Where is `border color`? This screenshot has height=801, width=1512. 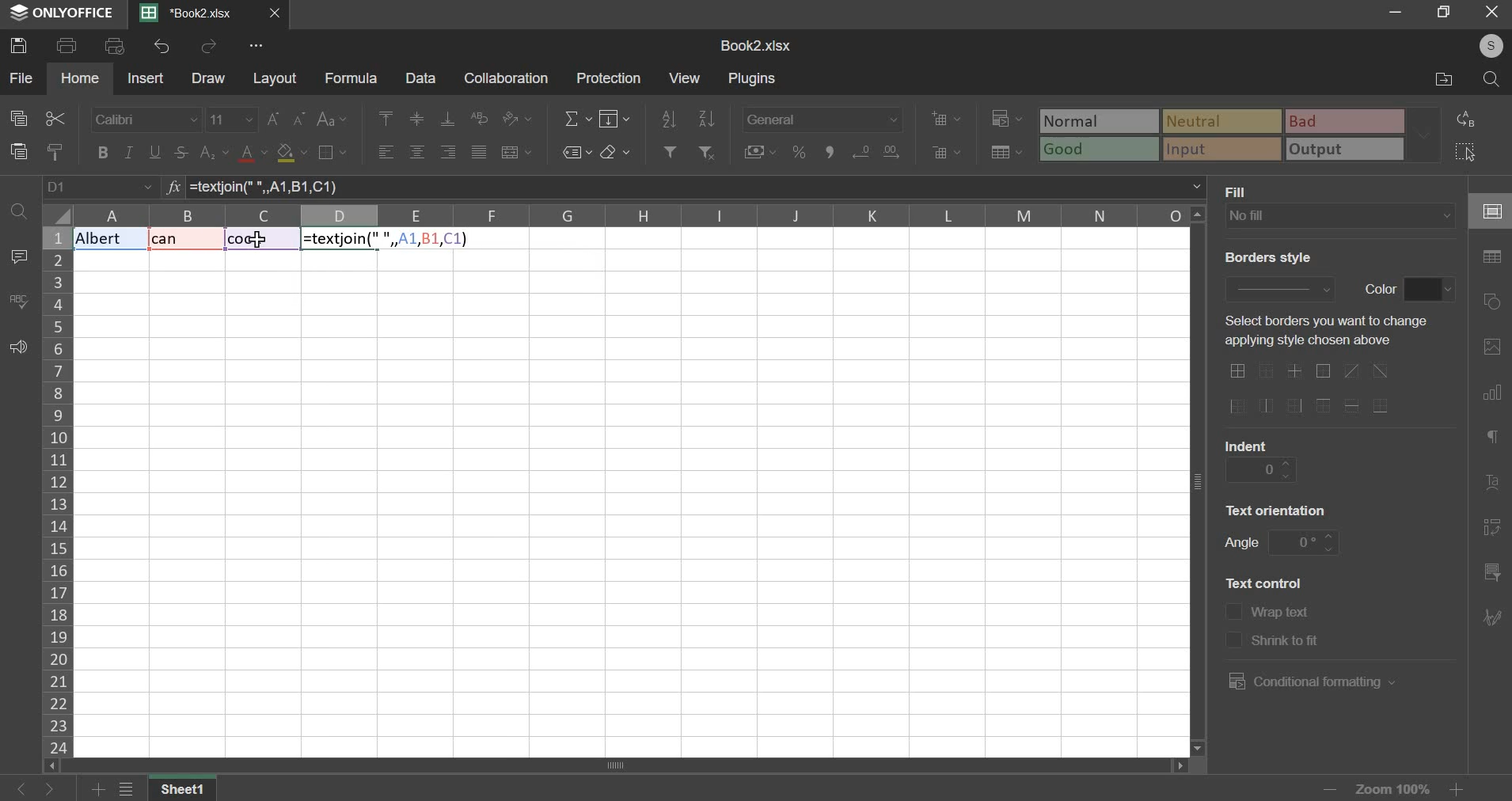
border color is located at coordinates (1430, 290).